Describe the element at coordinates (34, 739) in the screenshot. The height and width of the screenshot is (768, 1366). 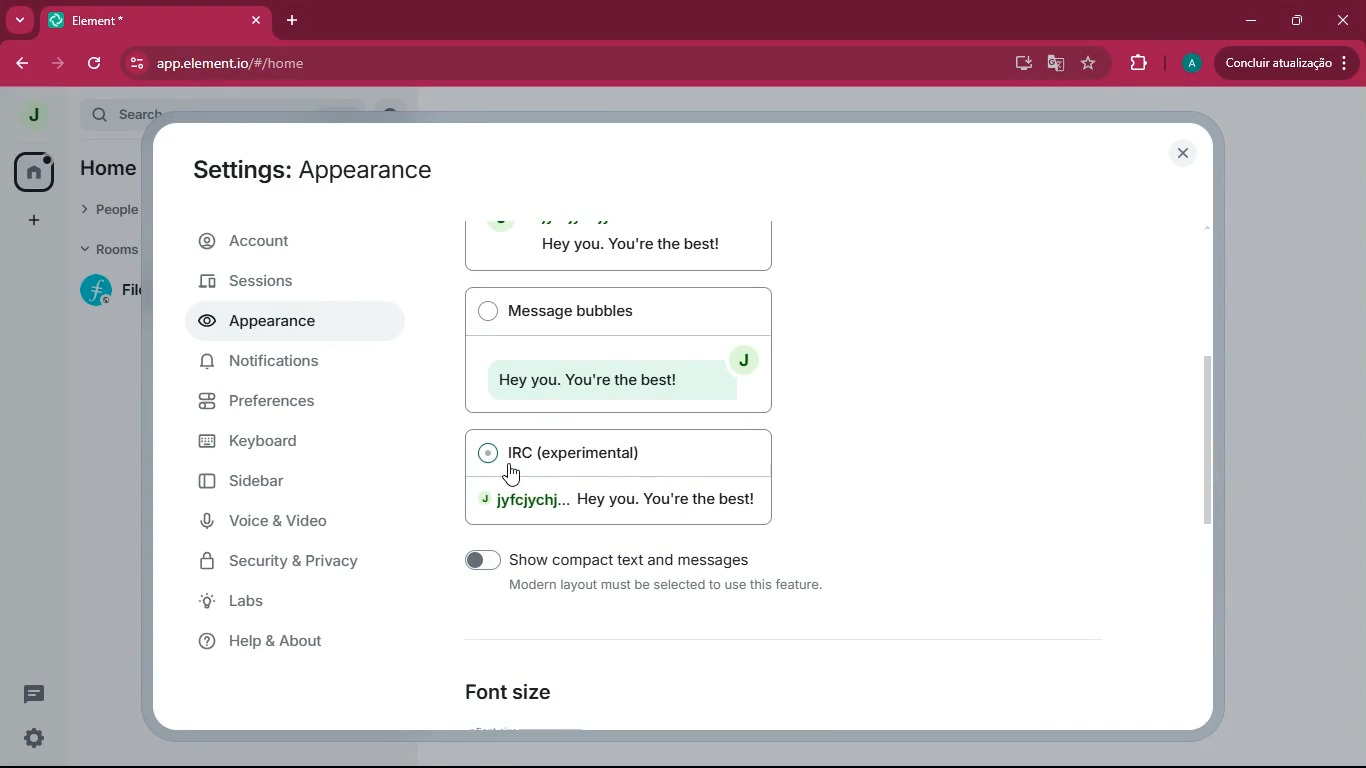
I see `settings` at that location.